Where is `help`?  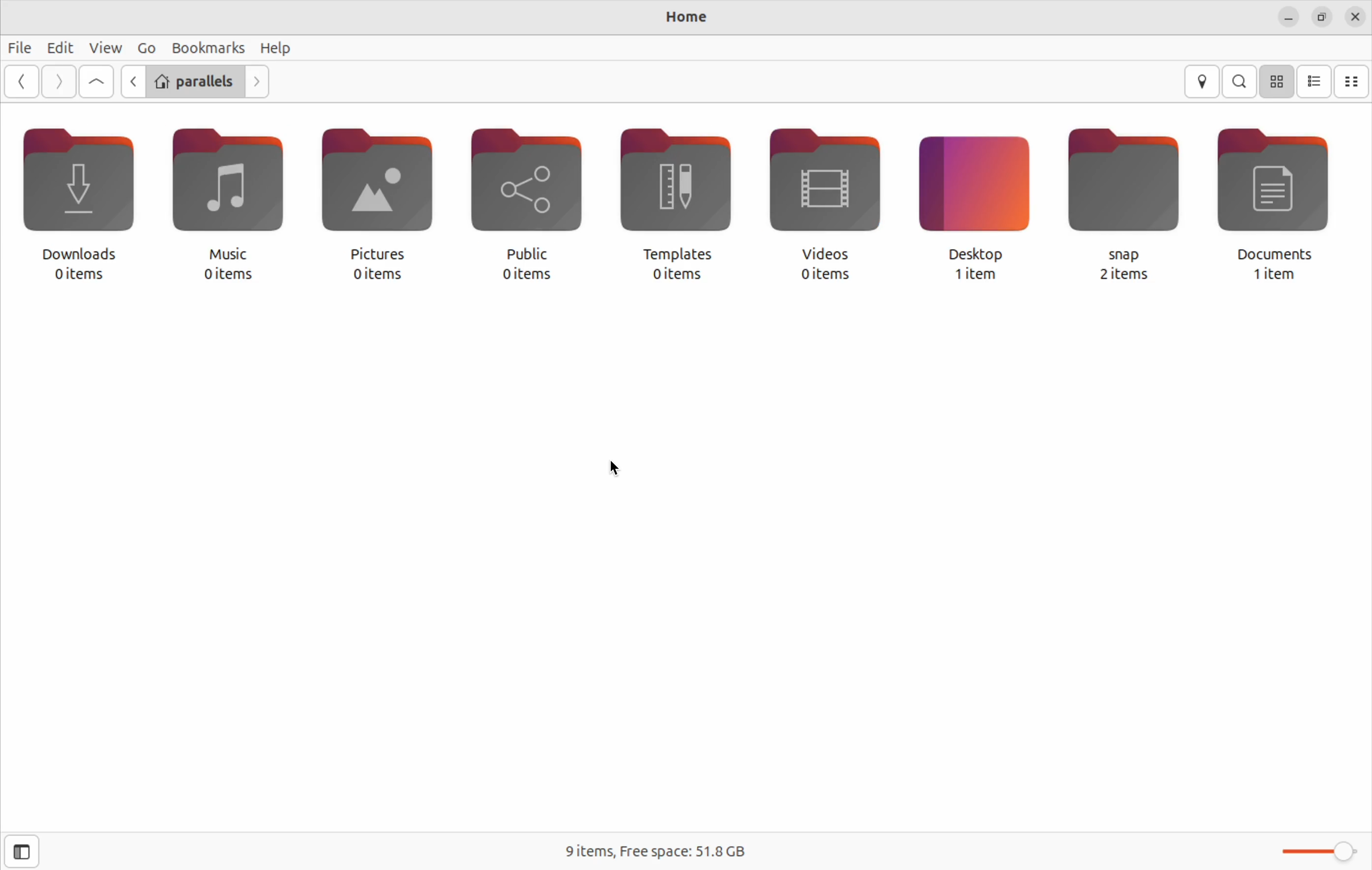
help is located at coordinates (278, 48).